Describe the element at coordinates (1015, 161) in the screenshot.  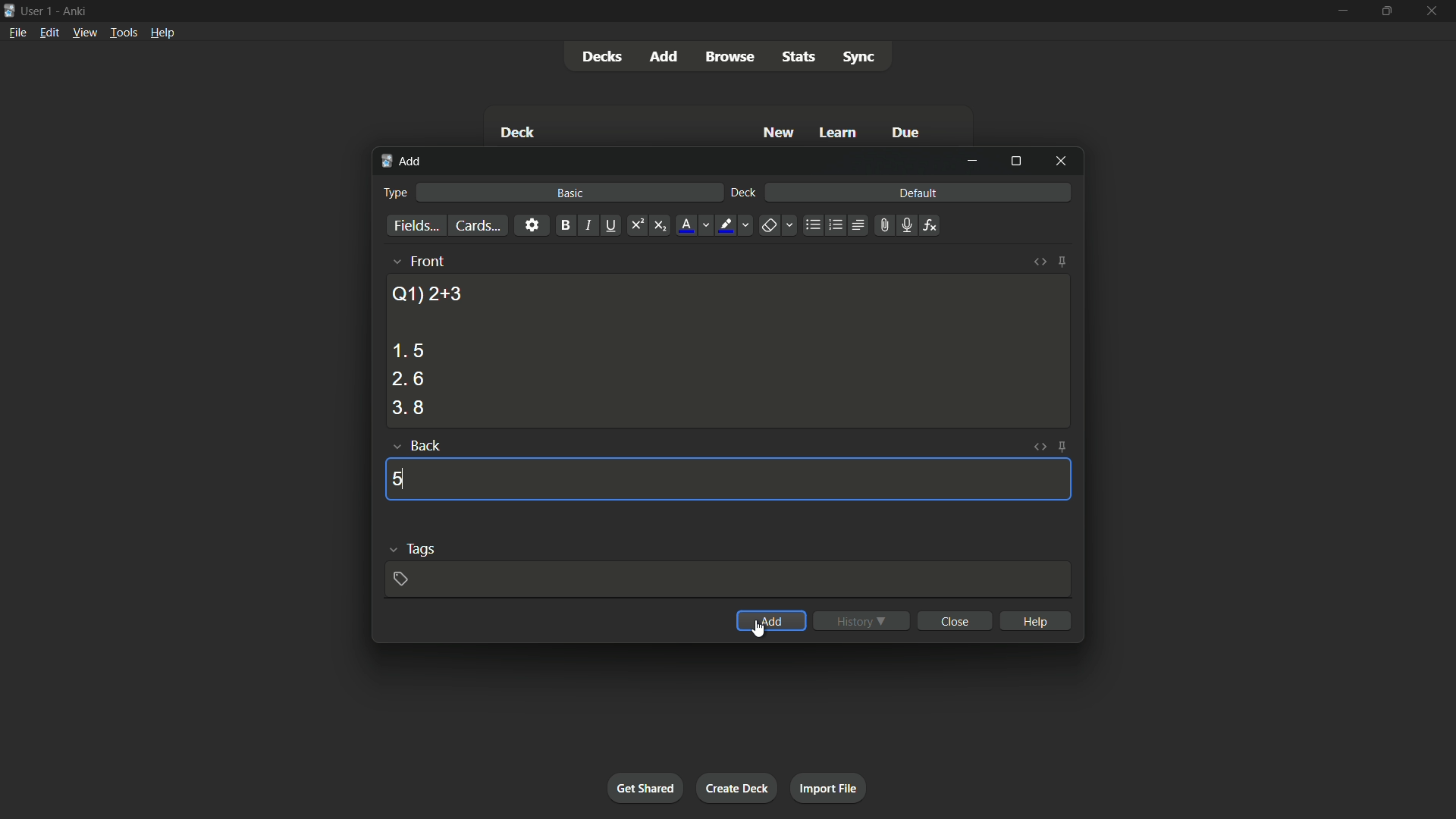
I see `maximize` at that location.